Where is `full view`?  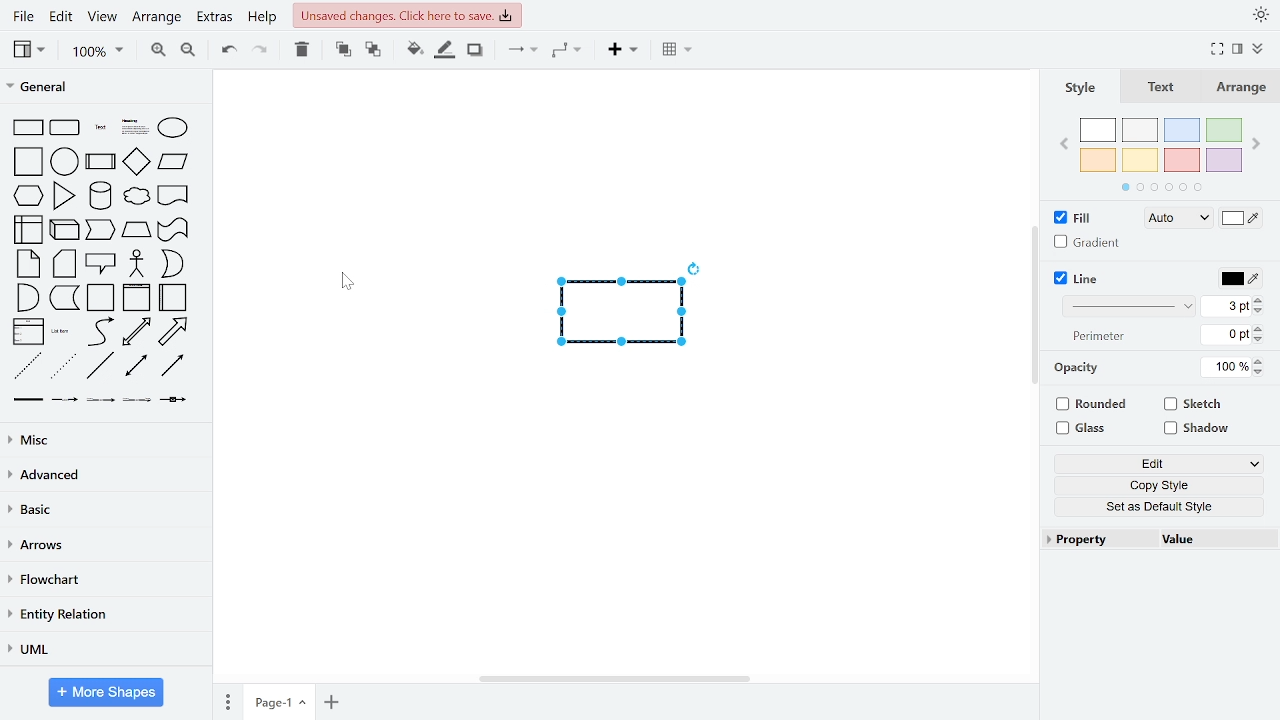 full view is located at coordinates (1217, 50).